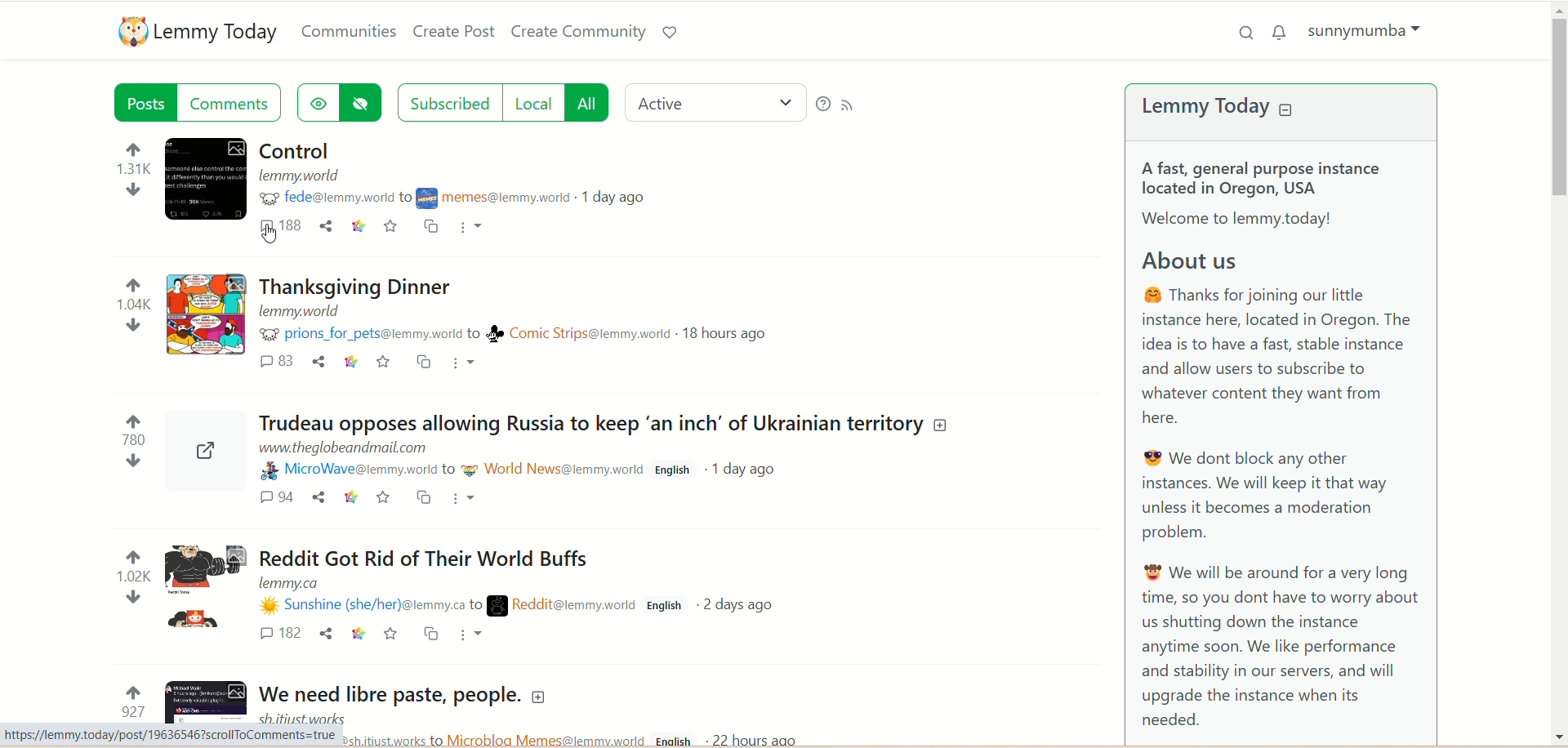  I want to click on URL, so click(294, 583).